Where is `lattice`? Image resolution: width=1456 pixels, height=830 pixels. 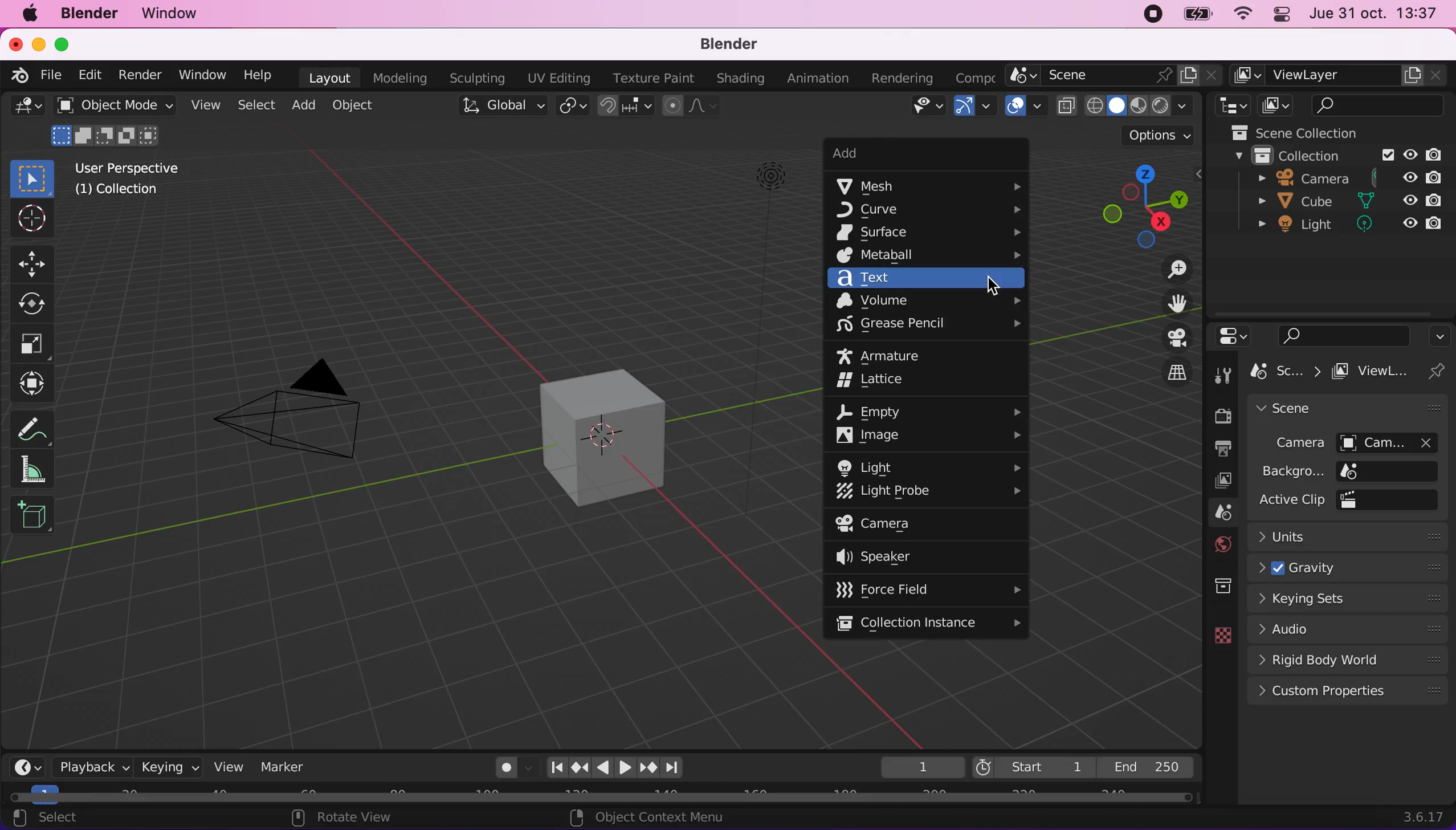 lattice is located at coordinates (887, 381).